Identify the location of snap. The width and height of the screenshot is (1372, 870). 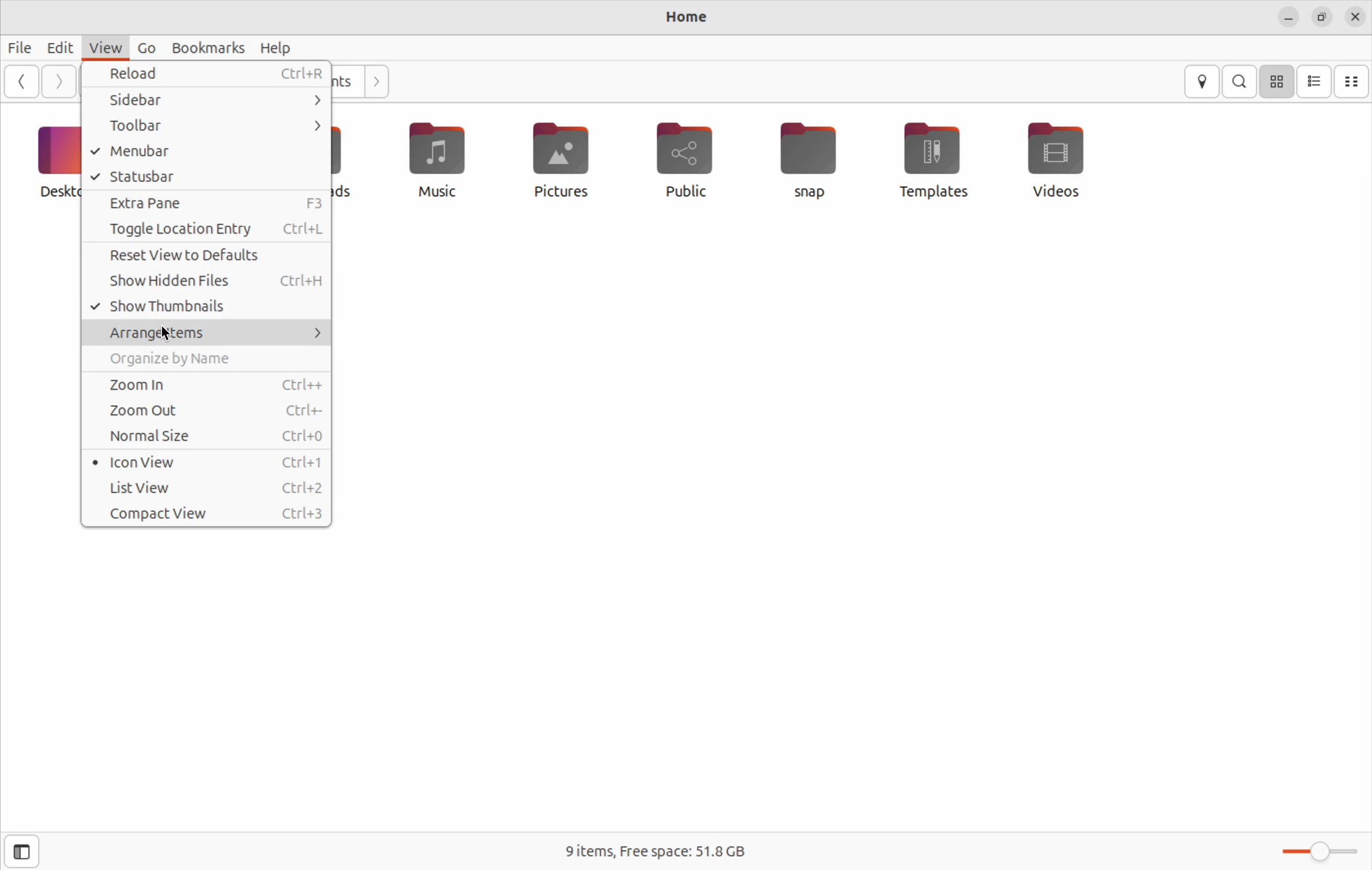
(809, 160).